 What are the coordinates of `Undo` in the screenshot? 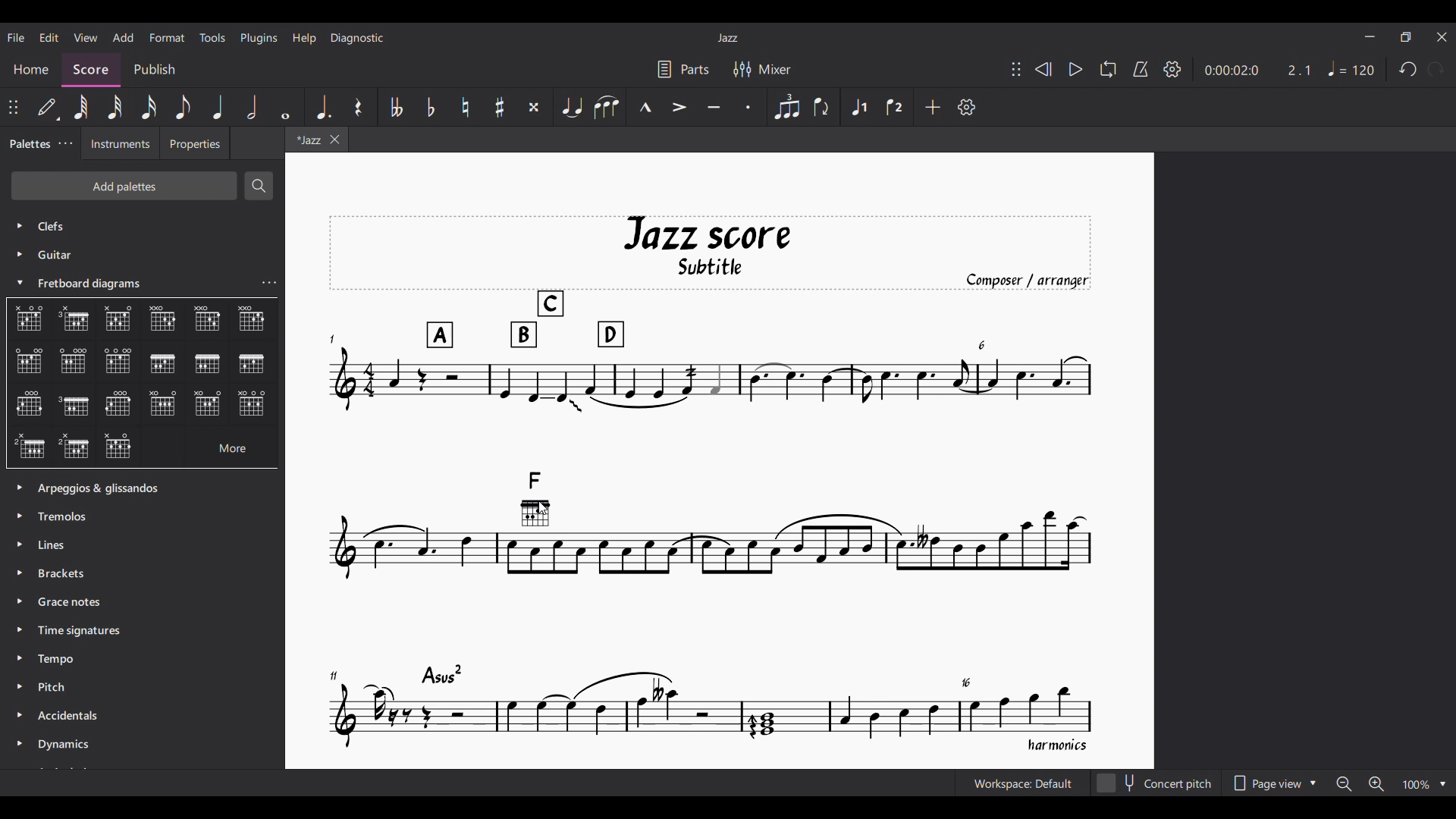 It's located at (1407, 70).